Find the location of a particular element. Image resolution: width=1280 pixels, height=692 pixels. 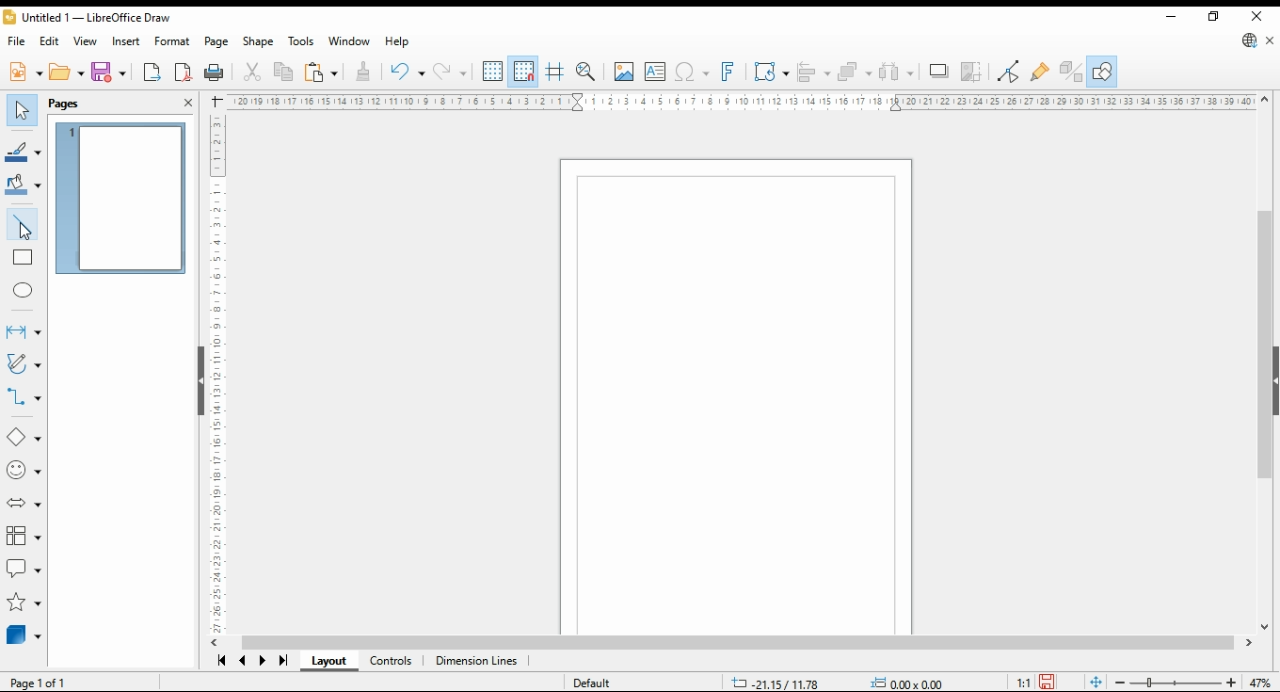

scroll bar is located at coordinates (1259, 367).